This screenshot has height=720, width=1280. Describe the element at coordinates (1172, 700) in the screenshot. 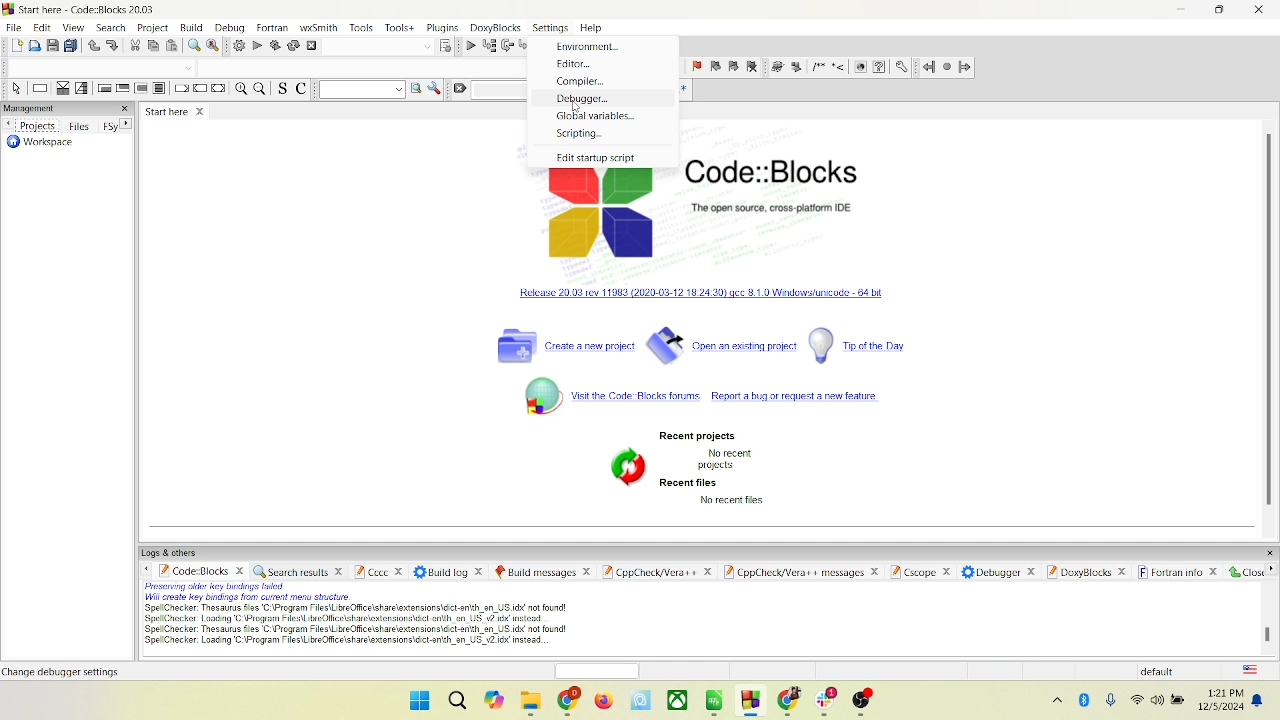

I see `speaker and battery` at that location.